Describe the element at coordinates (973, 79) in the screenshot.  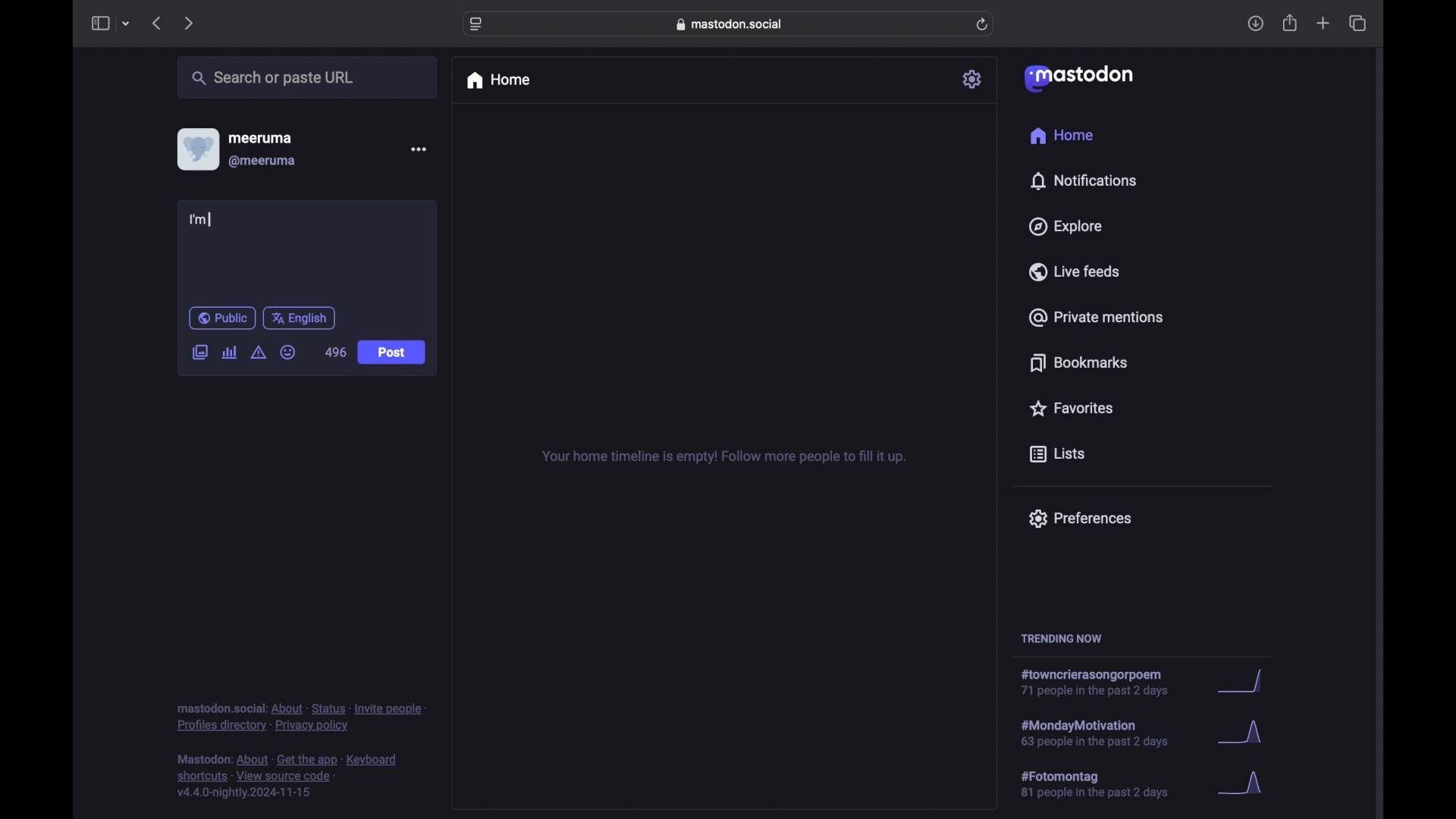
I see `settings` at that location.